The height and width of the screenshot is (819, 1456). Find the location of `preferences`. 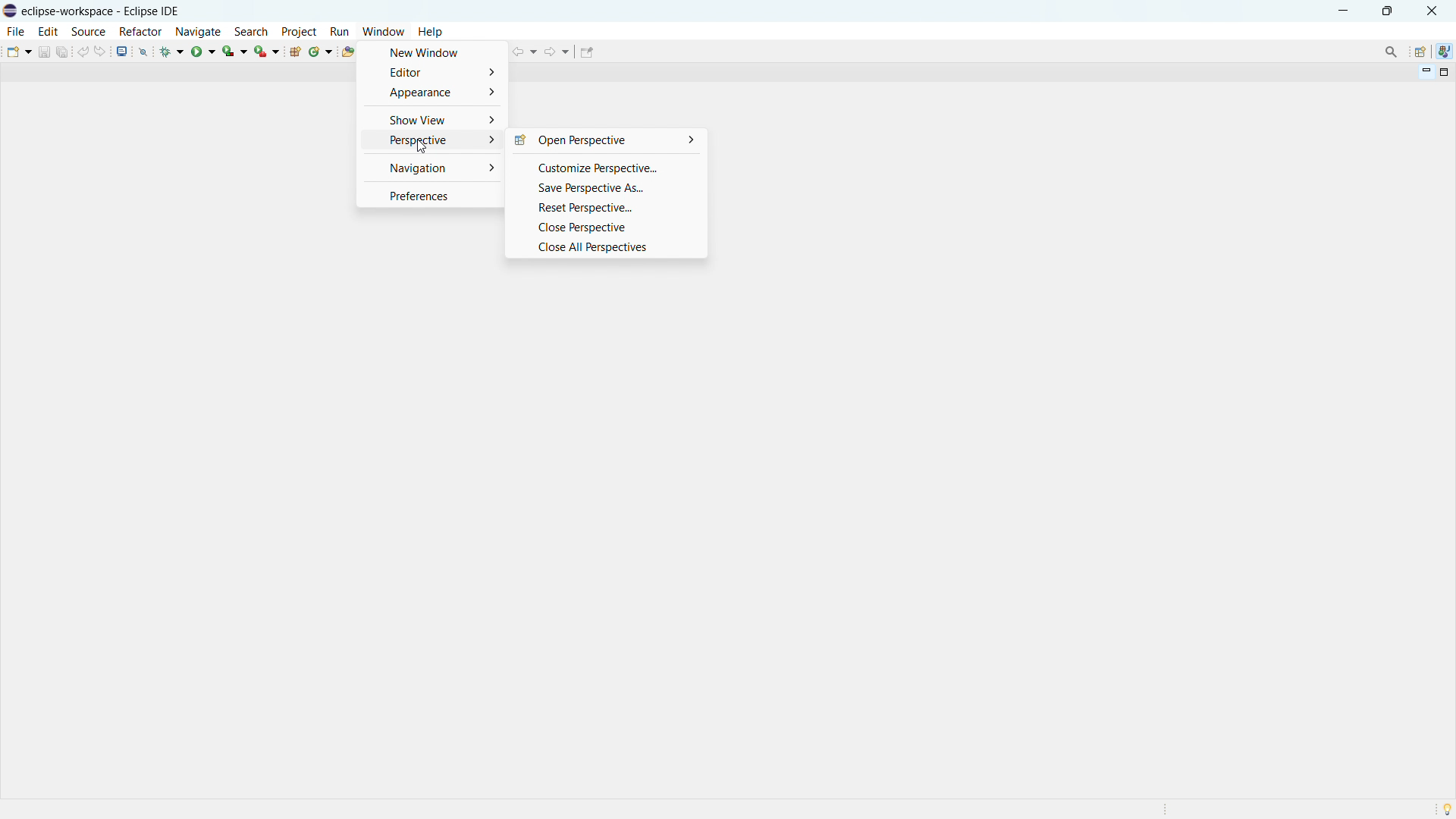

preferences is located at coordinates (431, 196).